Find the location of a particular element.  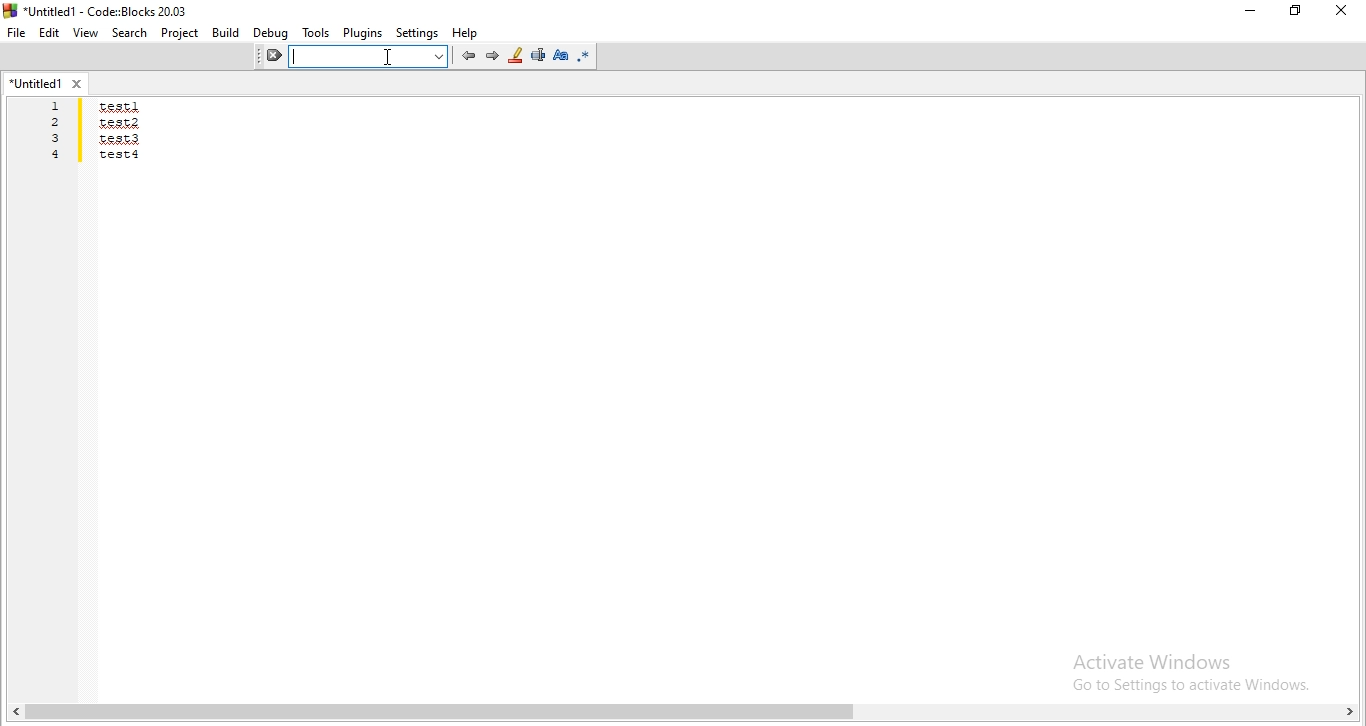

Build is located at coordinates (225, 33).